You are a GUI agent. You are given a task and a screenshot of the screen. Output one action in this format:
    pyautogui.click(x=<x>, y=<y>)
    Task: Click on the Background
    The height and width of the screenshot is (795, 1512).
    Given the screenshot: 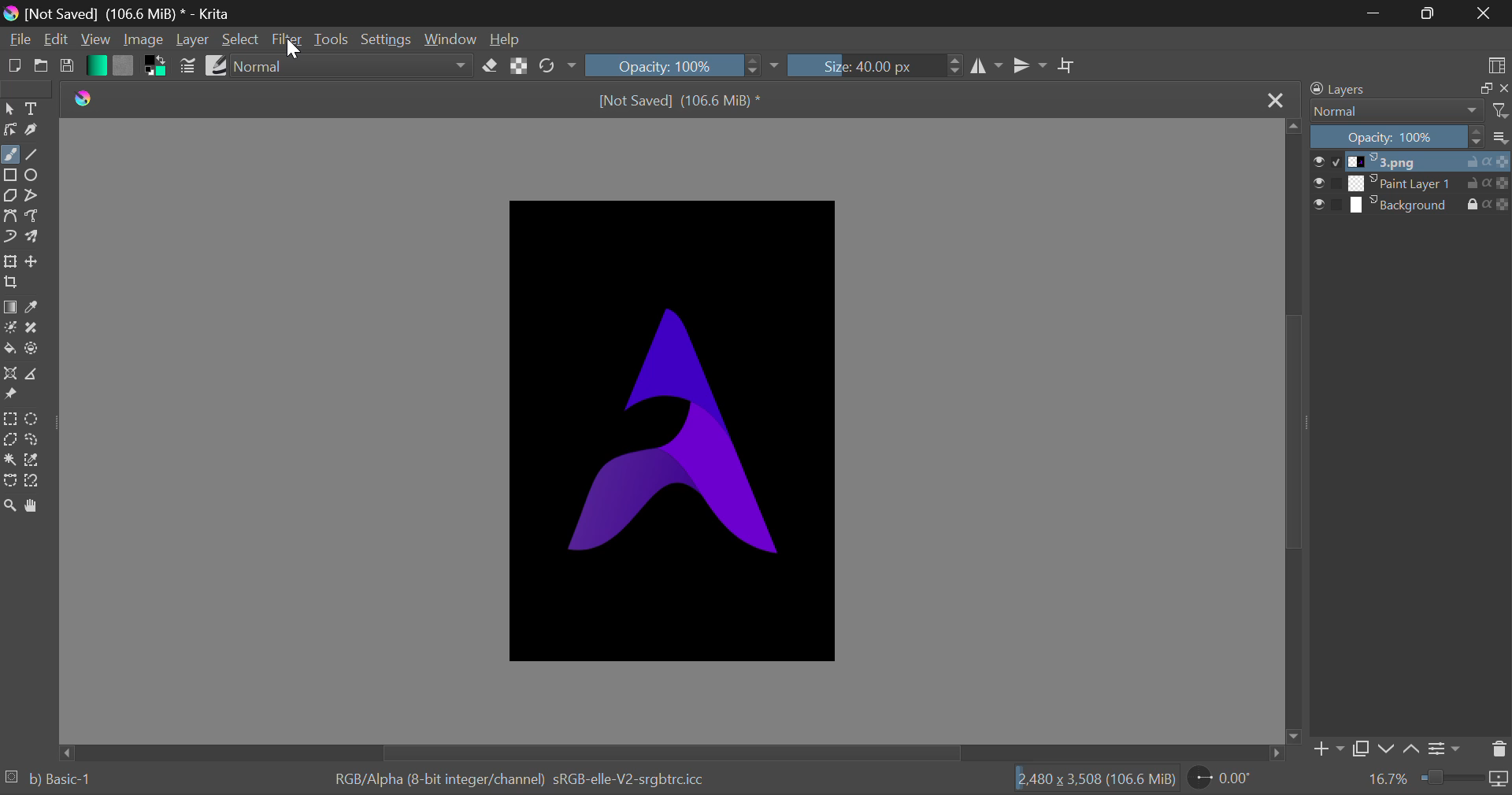 What is the action you would take?
    pyautogui.click(x=1411, y=207)
    